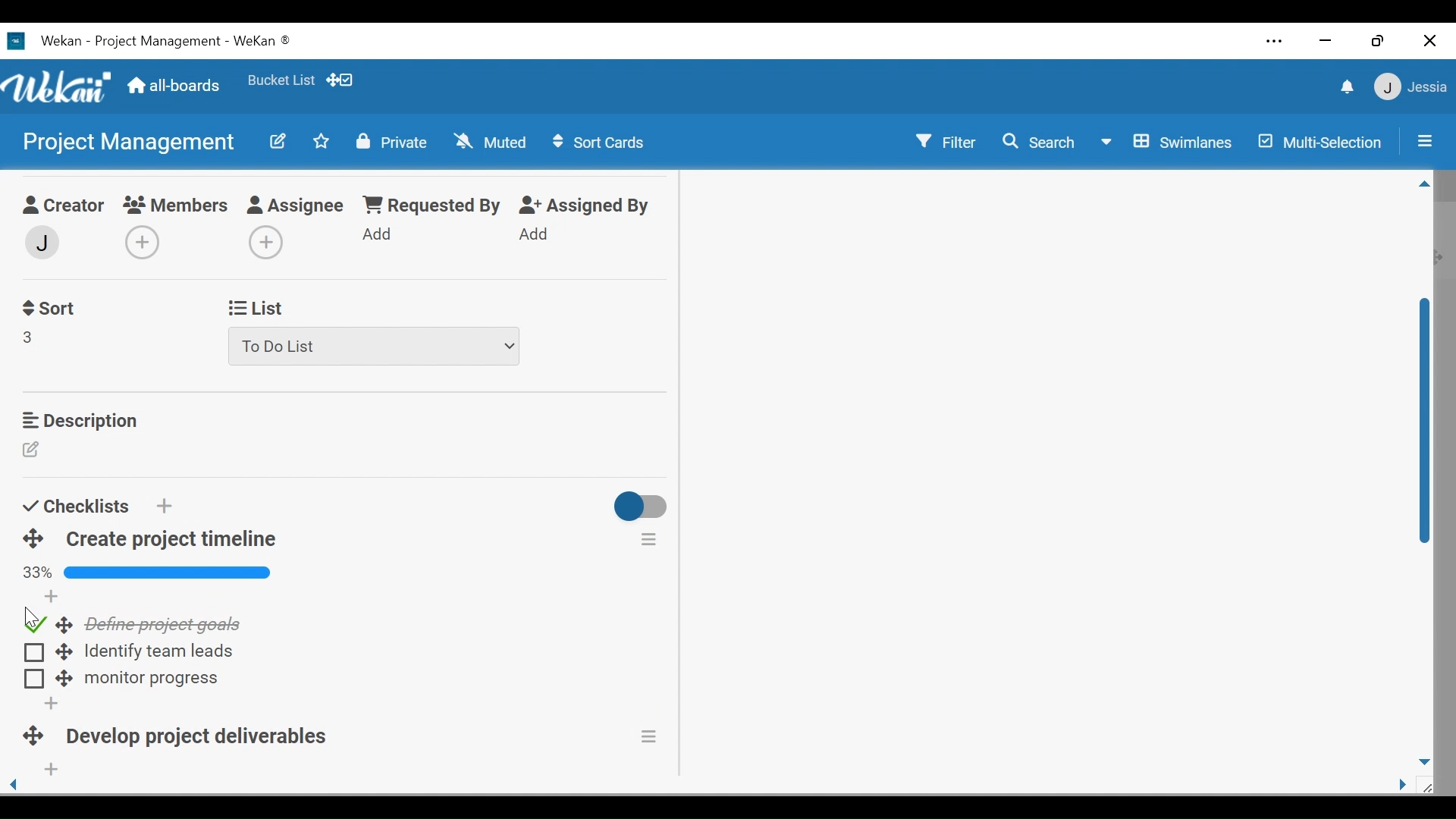  I want to click on Add Requested by, so click(378, 233).